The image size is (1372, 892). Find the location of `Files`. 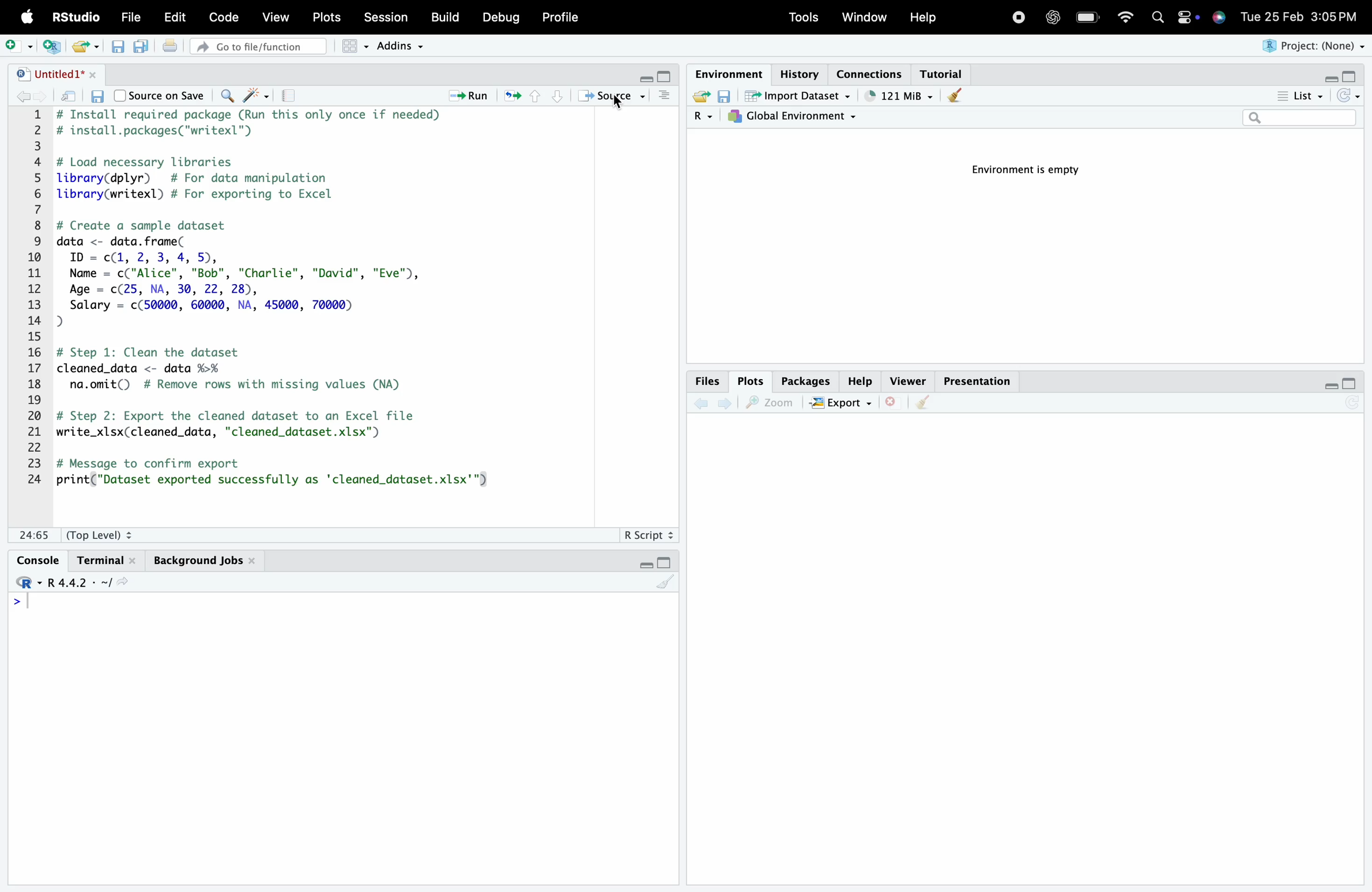

Files is located at coordinates (708, 380).